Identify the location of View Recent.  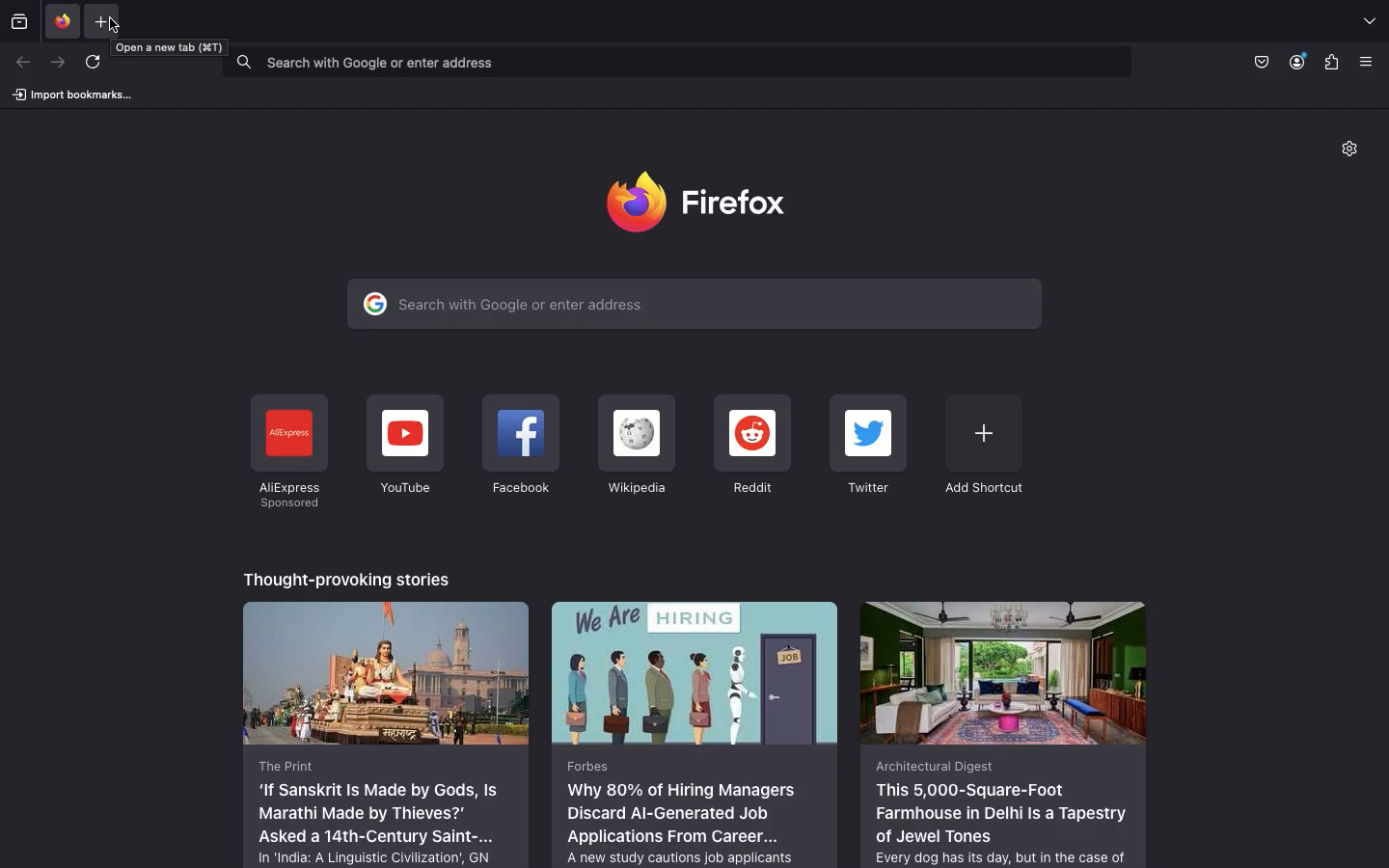
(19, 20).